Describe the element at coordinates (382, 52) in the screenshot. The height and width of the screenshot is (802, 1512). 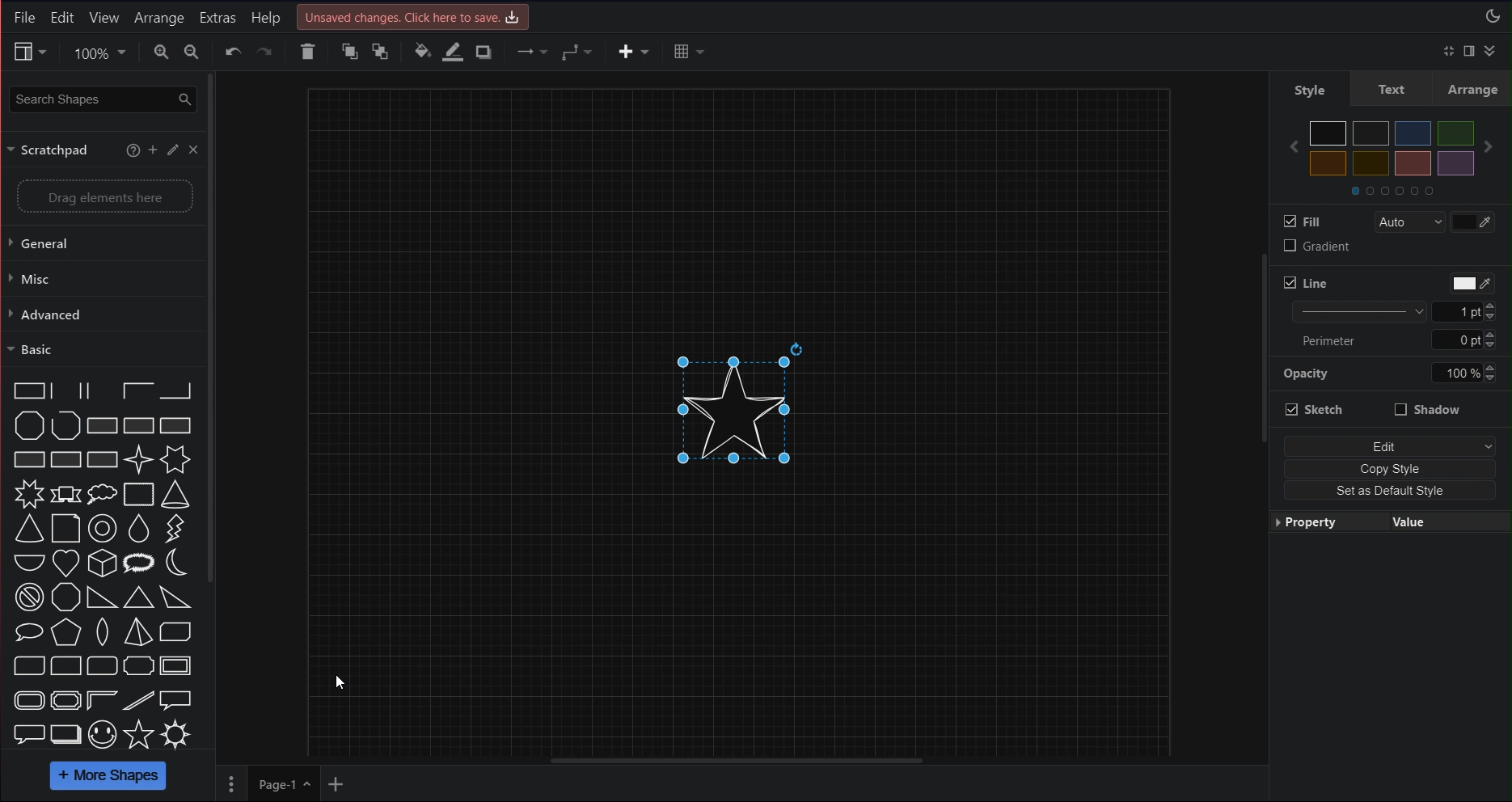
I see `To Back` at that location.